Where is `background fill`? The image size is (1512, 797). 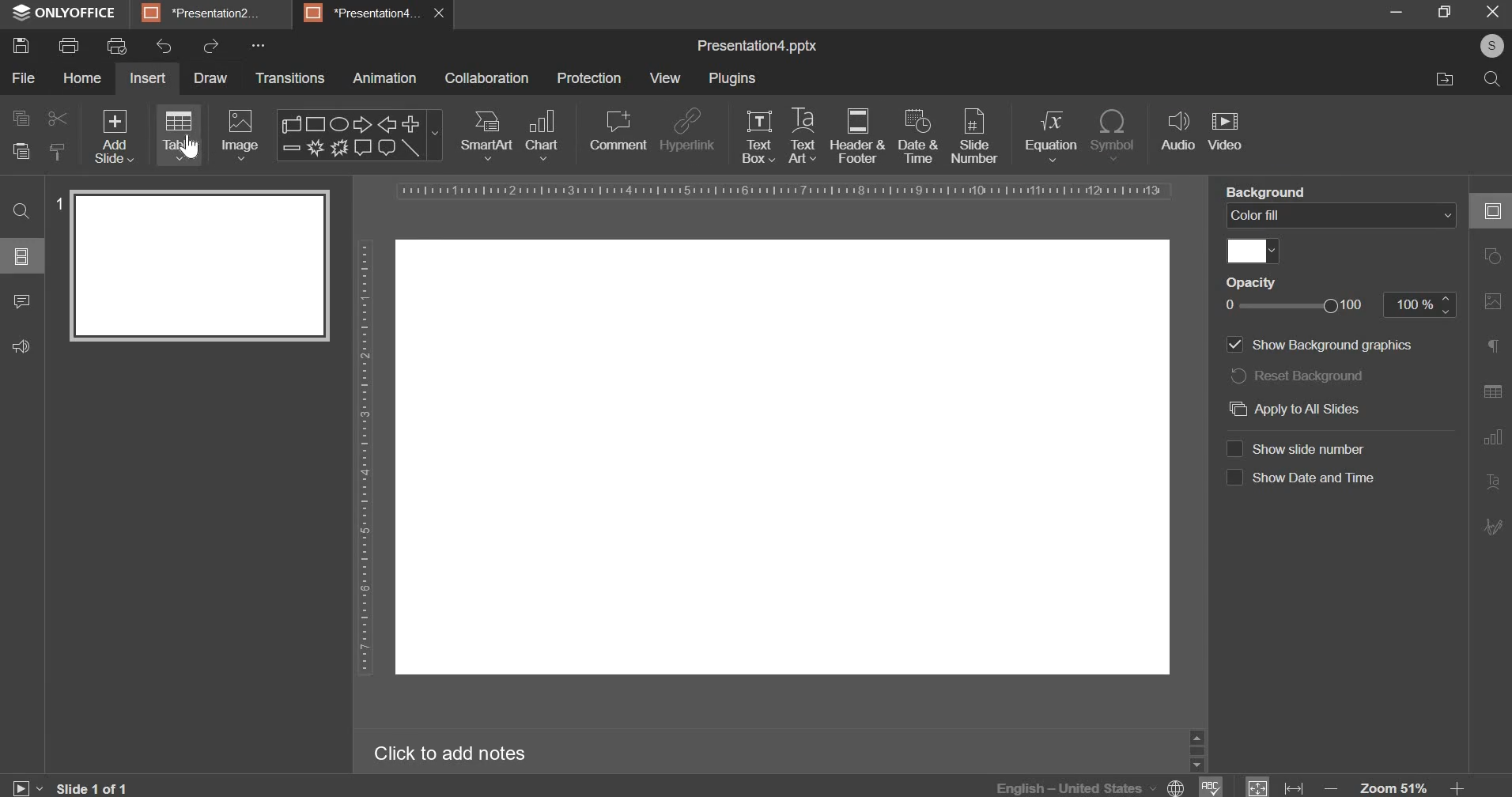
background fill is located at coordinates (1342, 217).